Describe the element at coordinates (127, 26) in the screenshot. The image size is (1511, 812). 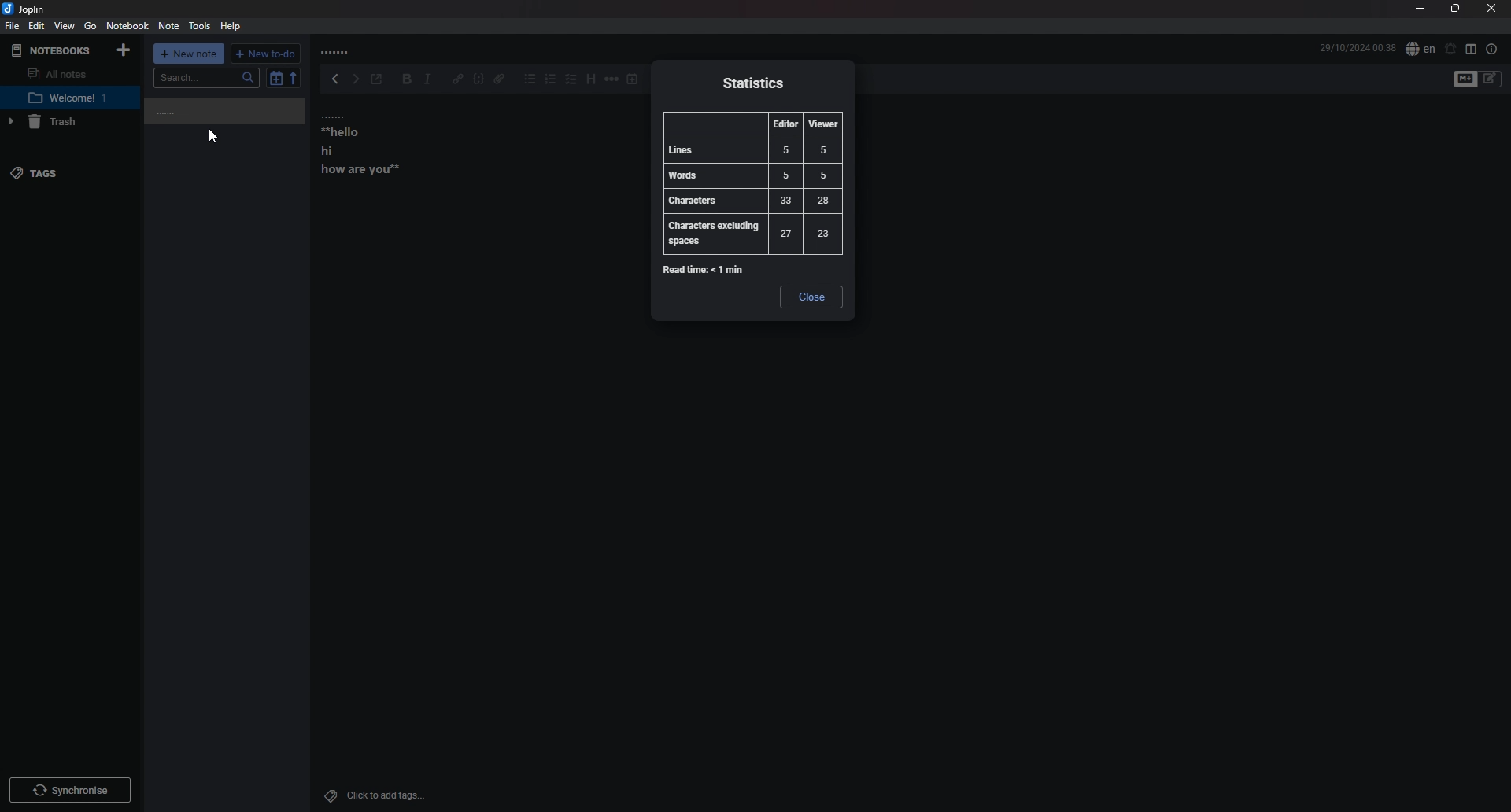
I see `Notebook` at that location.